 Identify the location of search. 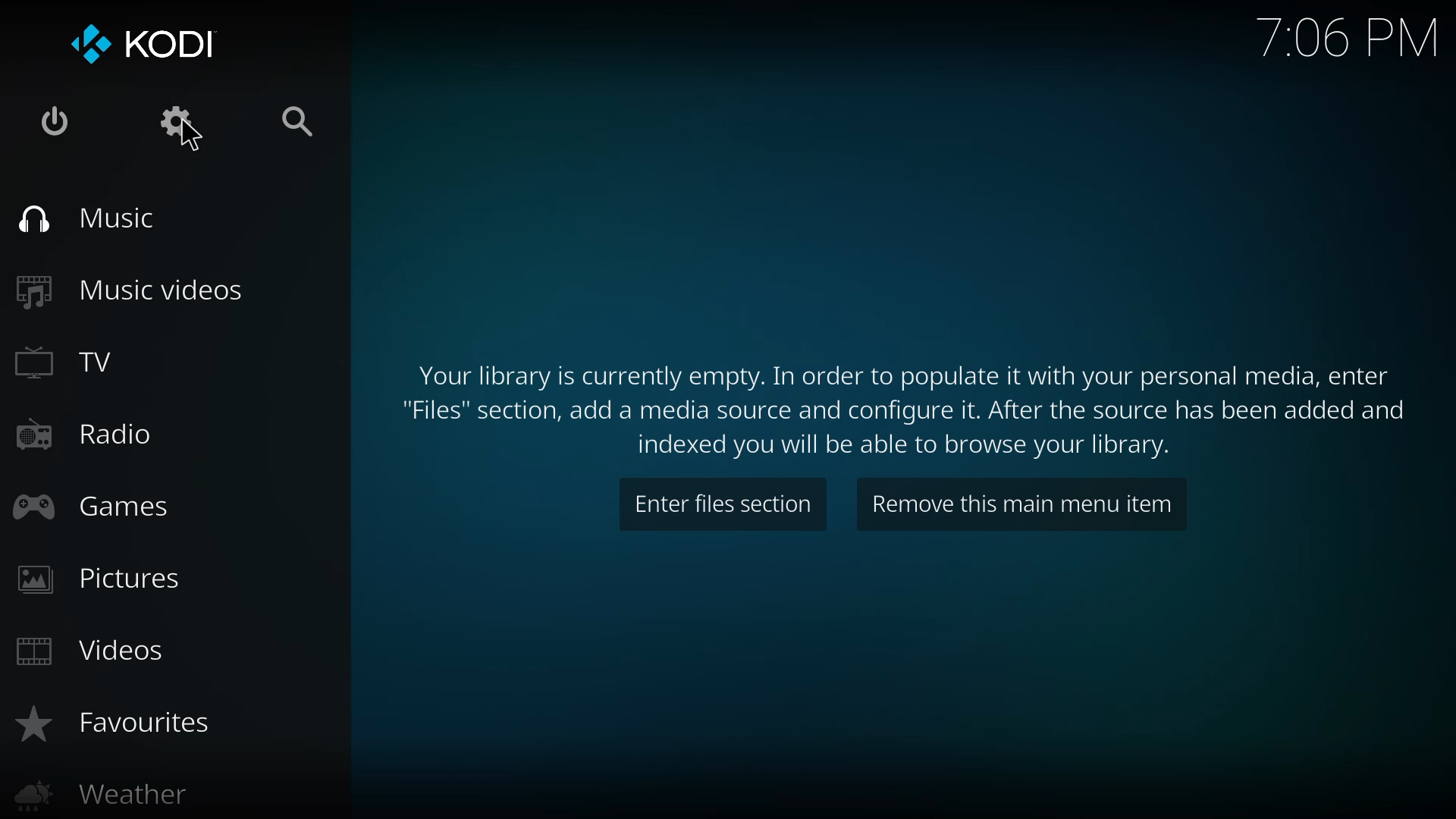
(297, 122).